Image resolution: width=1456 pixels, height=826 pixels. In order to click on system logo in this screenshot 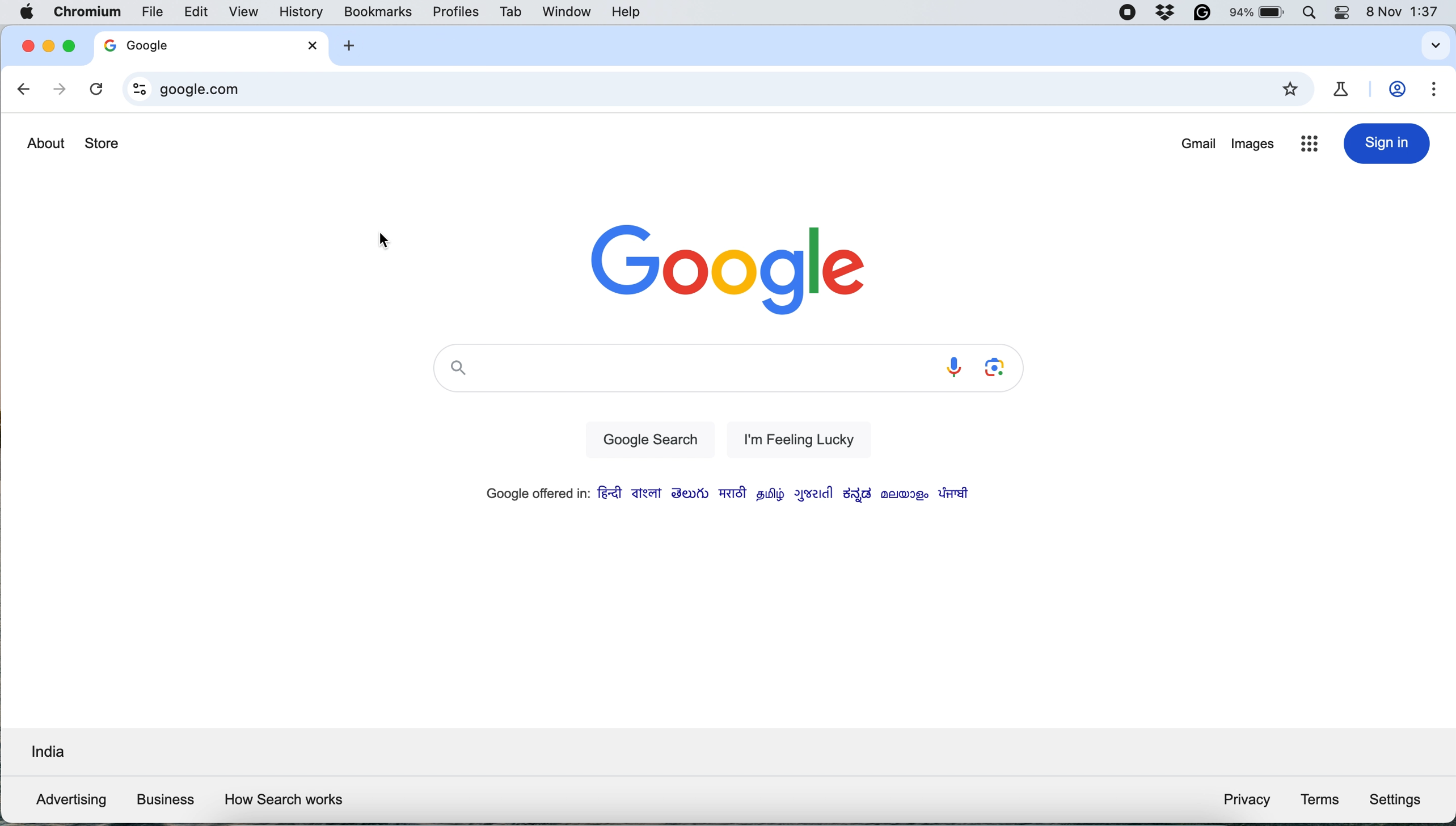, I will do `click(29, 13)`.